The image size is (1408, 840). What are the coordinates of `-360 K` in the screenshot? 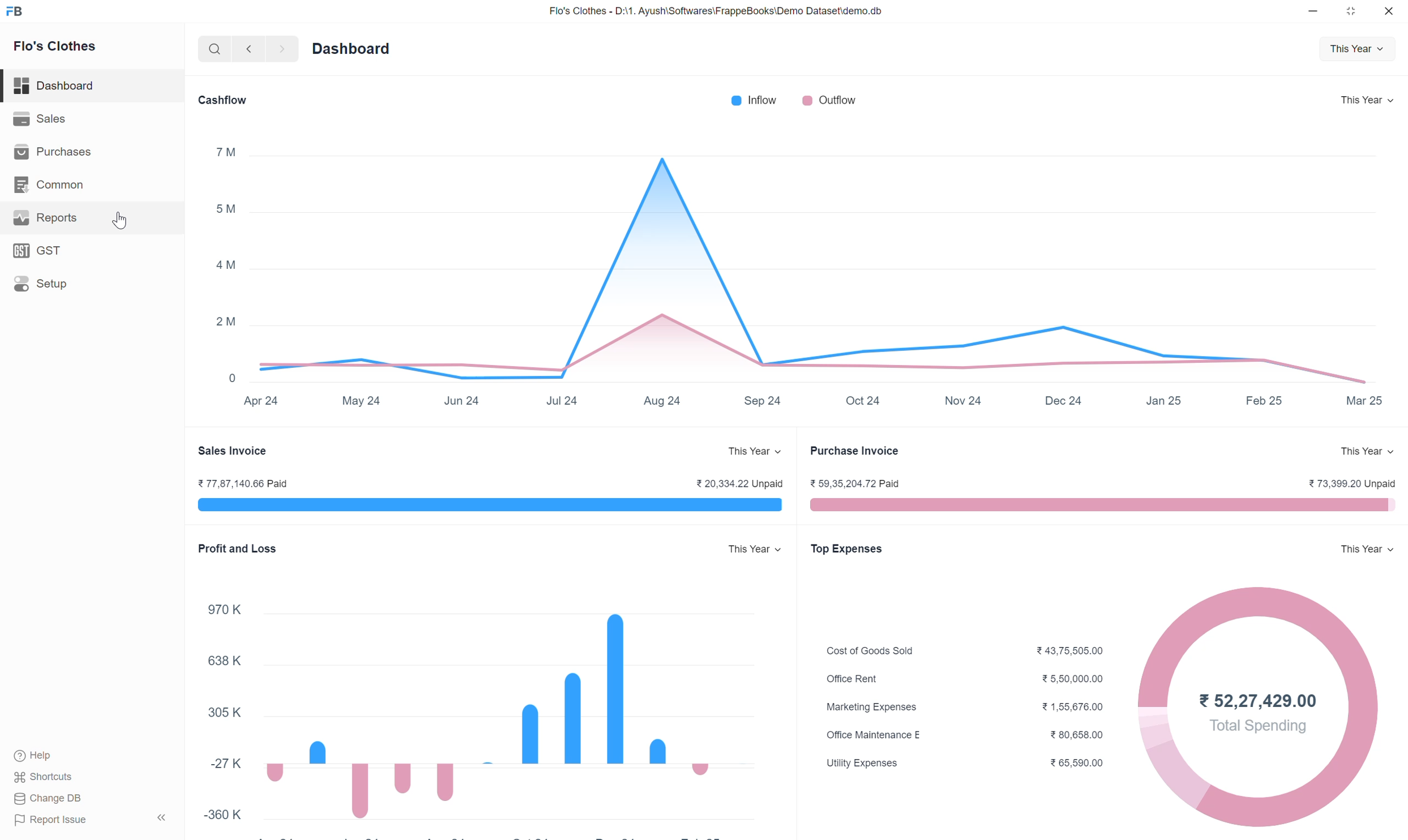 It's located at (228, 816).